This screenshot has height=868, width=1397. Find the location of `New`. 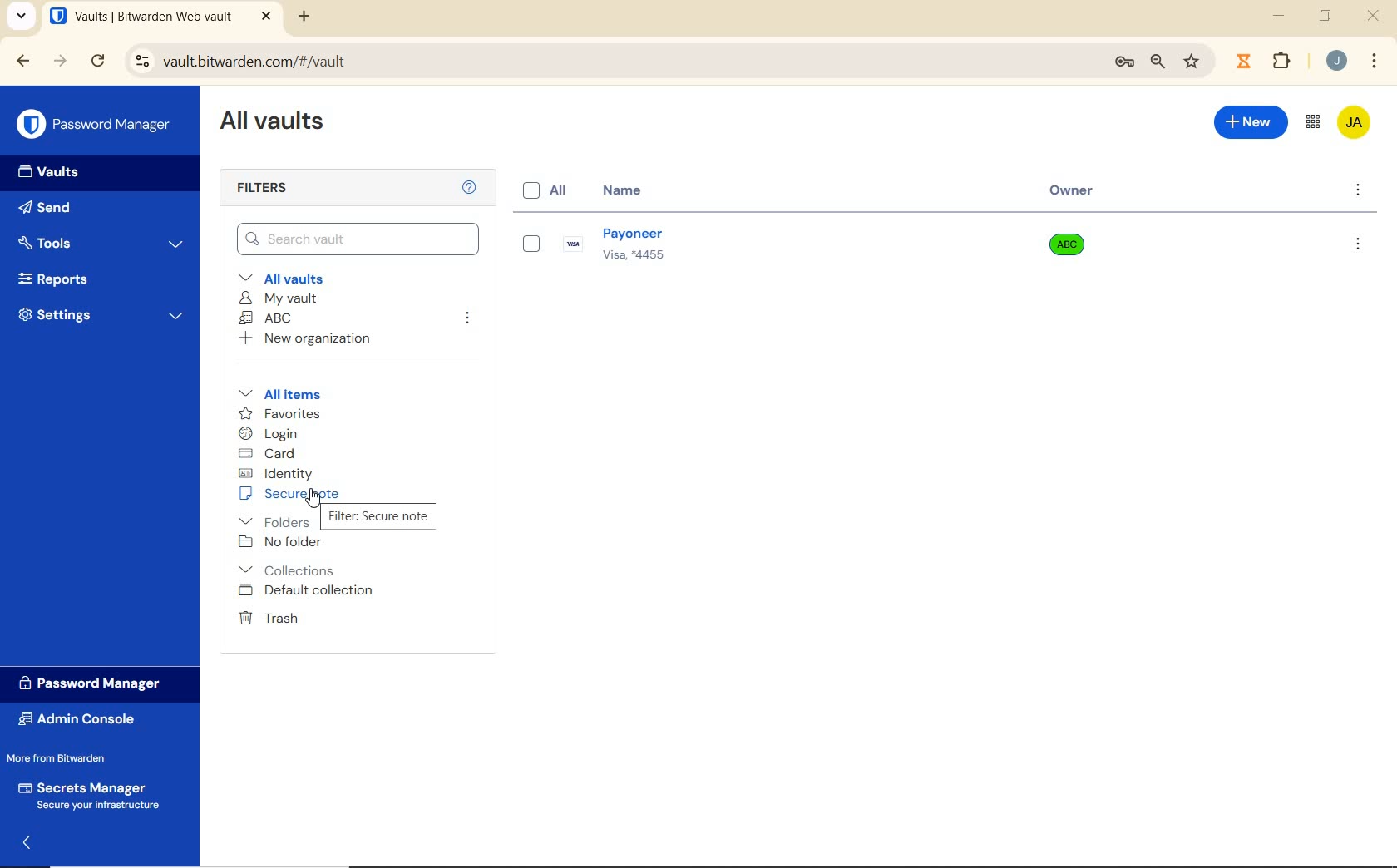

New is located at coordinates (1251, 126).